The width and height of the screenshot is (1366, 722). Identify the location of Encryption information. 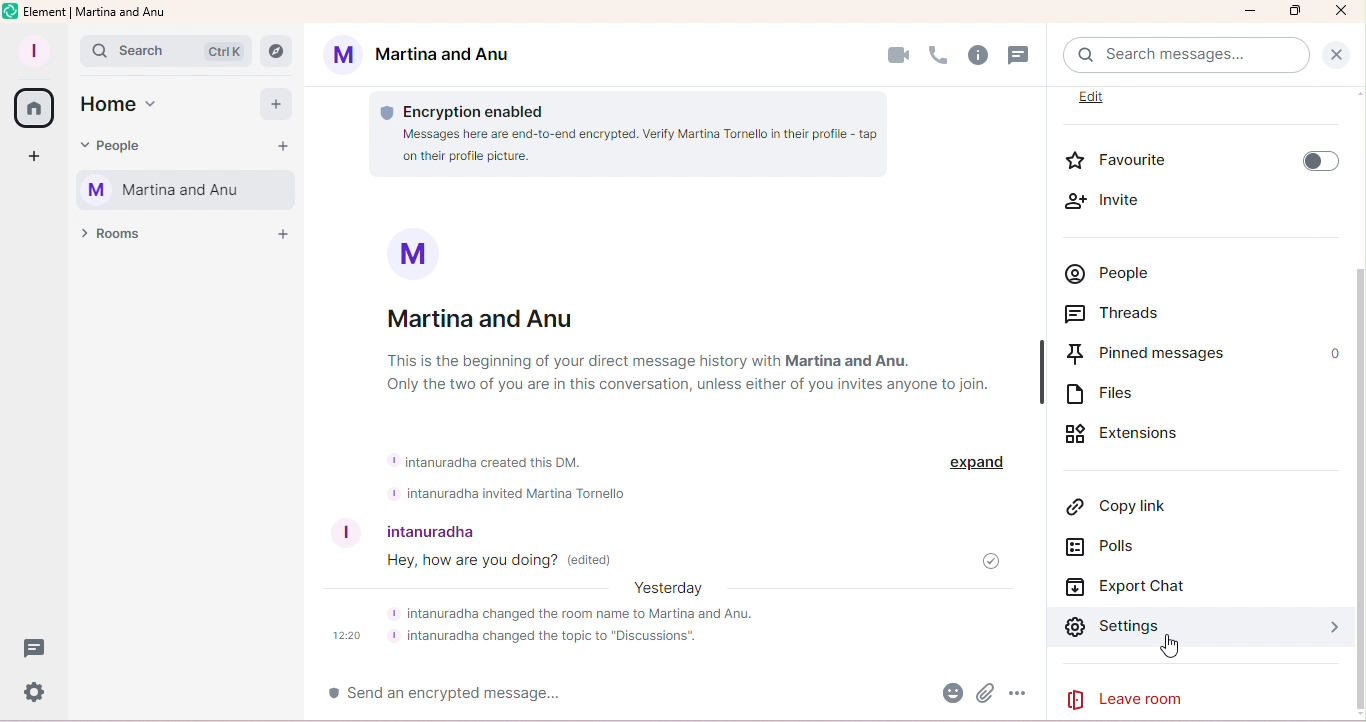
(482, 104).